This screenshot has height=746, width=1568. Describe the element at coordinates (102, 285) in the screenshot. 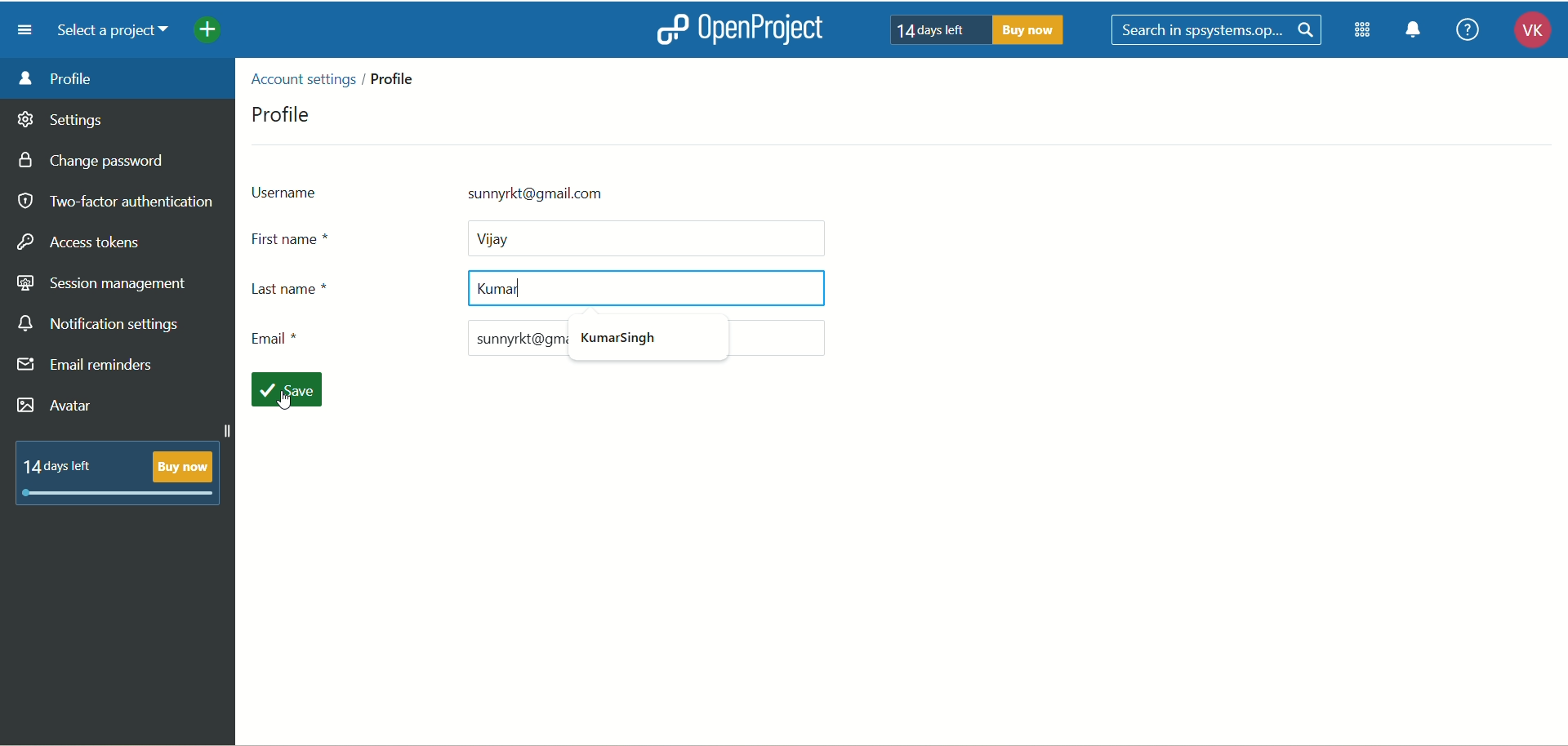

I see `session management` at that location.